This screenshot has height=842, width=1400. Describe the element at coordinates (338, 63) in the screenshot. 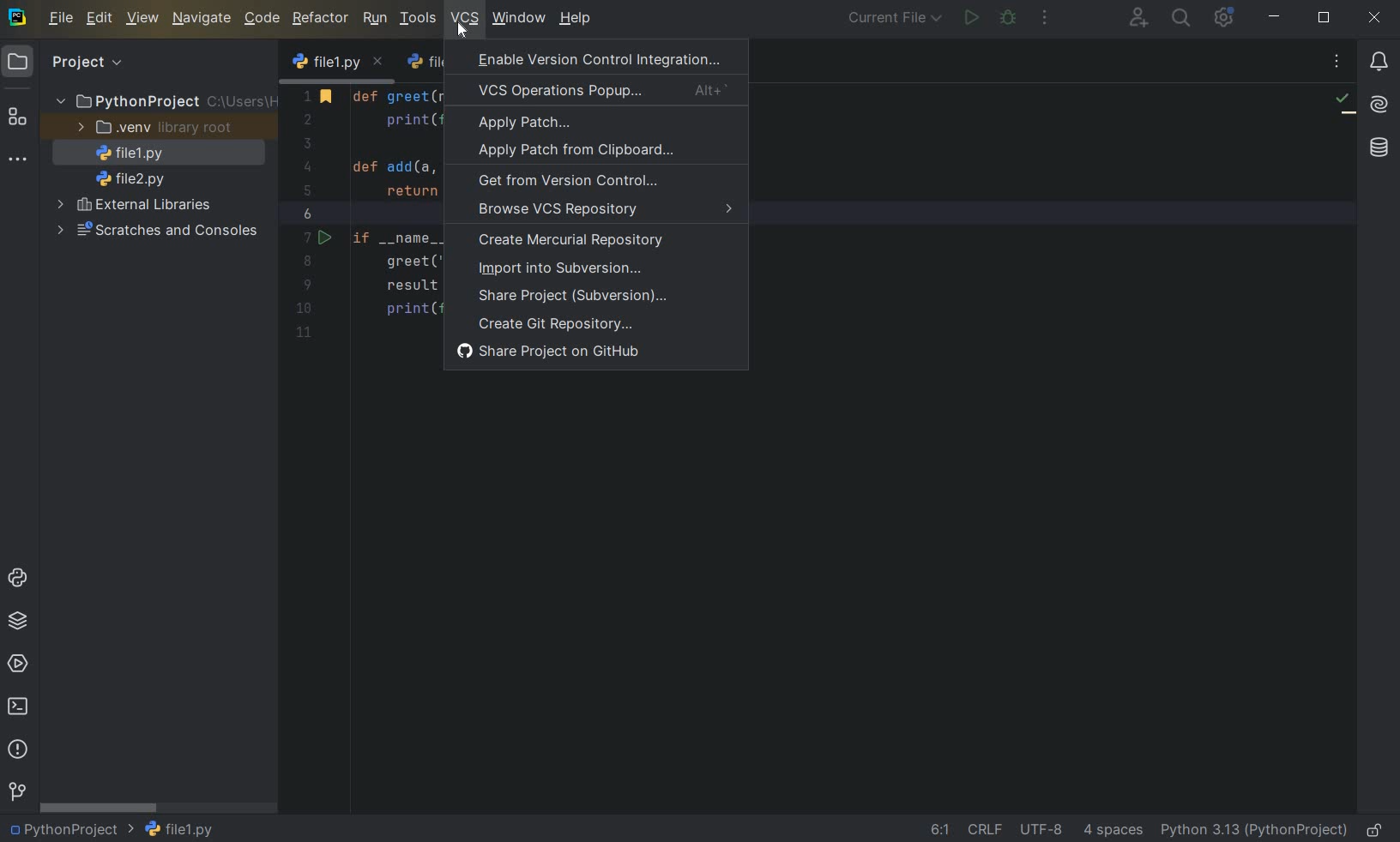

I see `file name 1` at that location.